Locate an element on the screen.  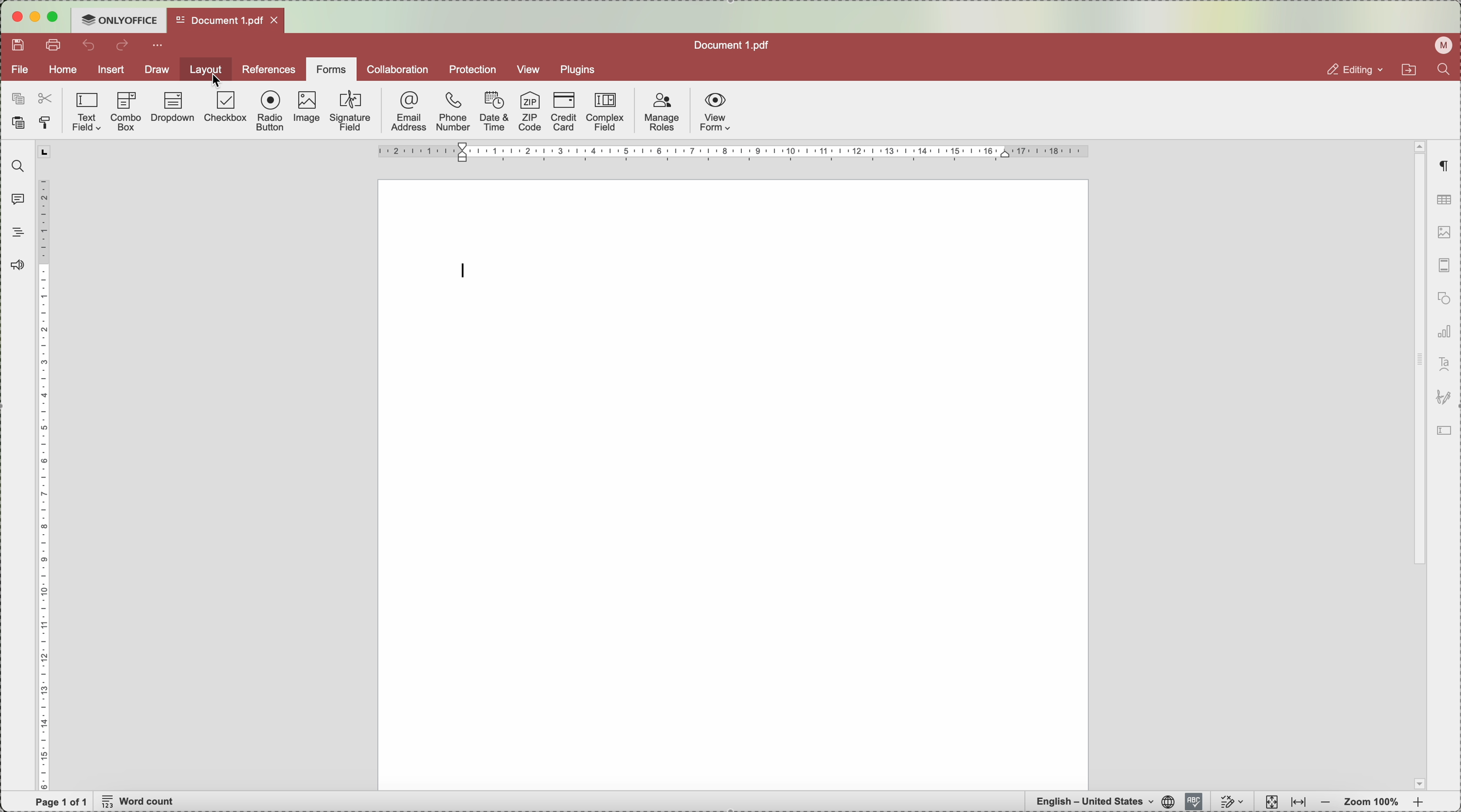
view is located at coordinates (529, 69).